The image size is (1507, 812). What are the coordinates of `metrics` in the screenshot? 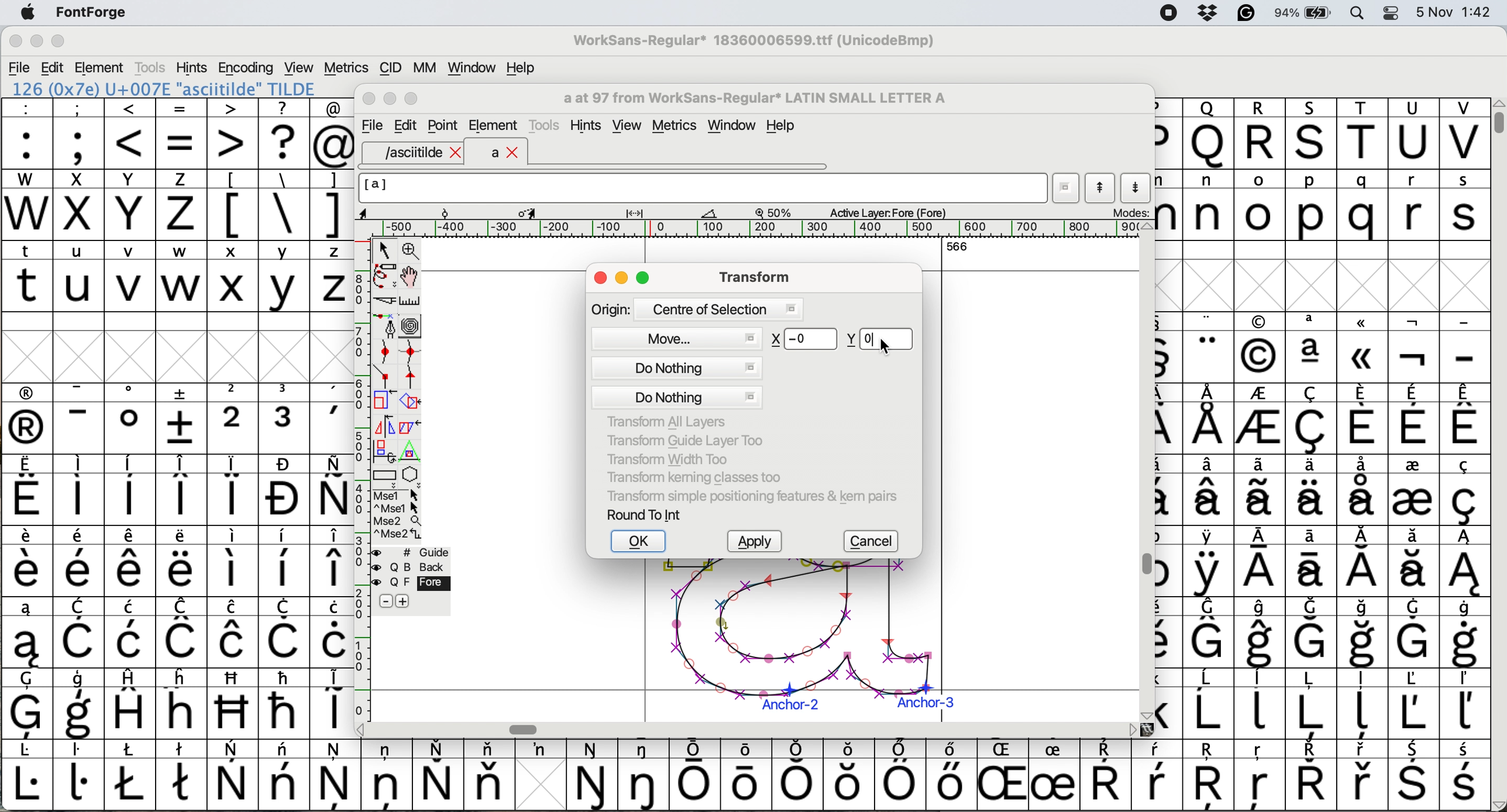 It's located at (679, 127).